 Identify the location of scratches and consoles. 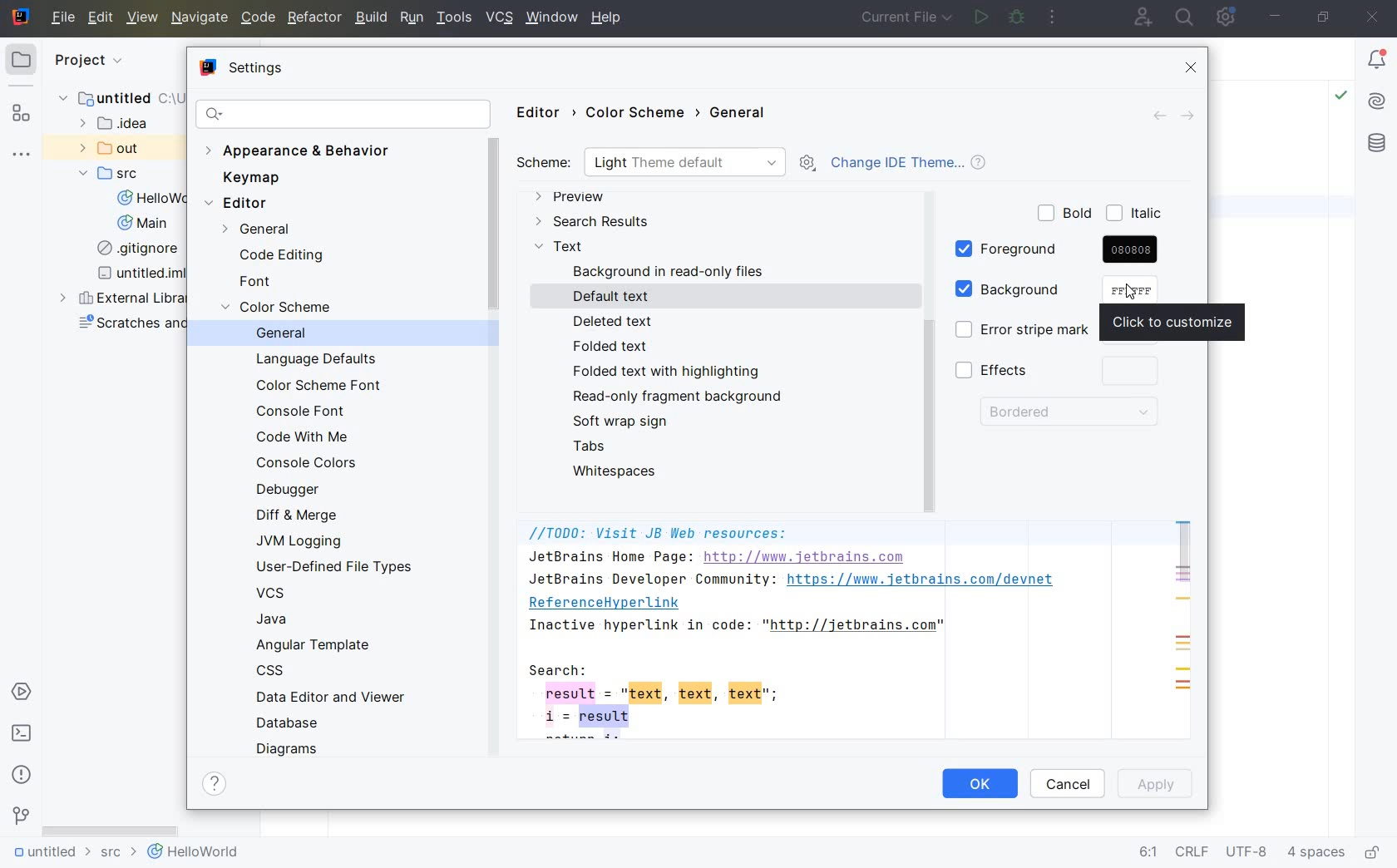
(131, 326).